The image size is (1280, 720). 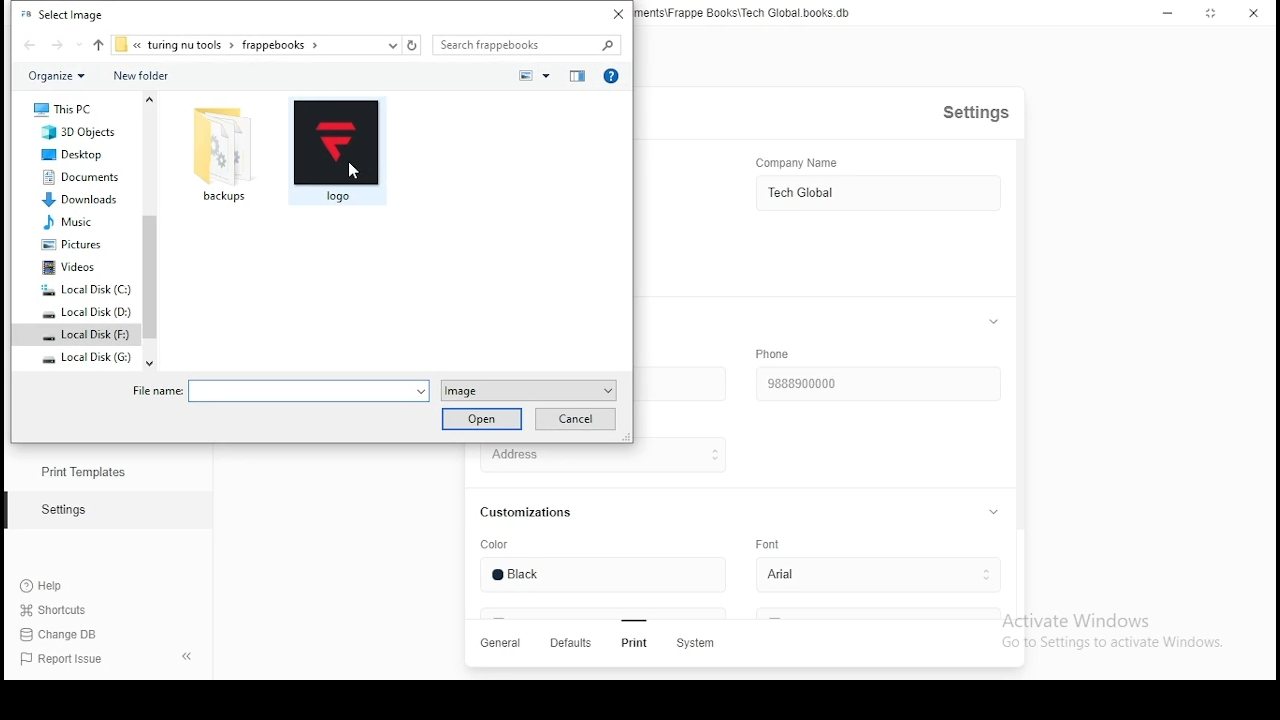 I want to click on help, so click(x=613, y=77).